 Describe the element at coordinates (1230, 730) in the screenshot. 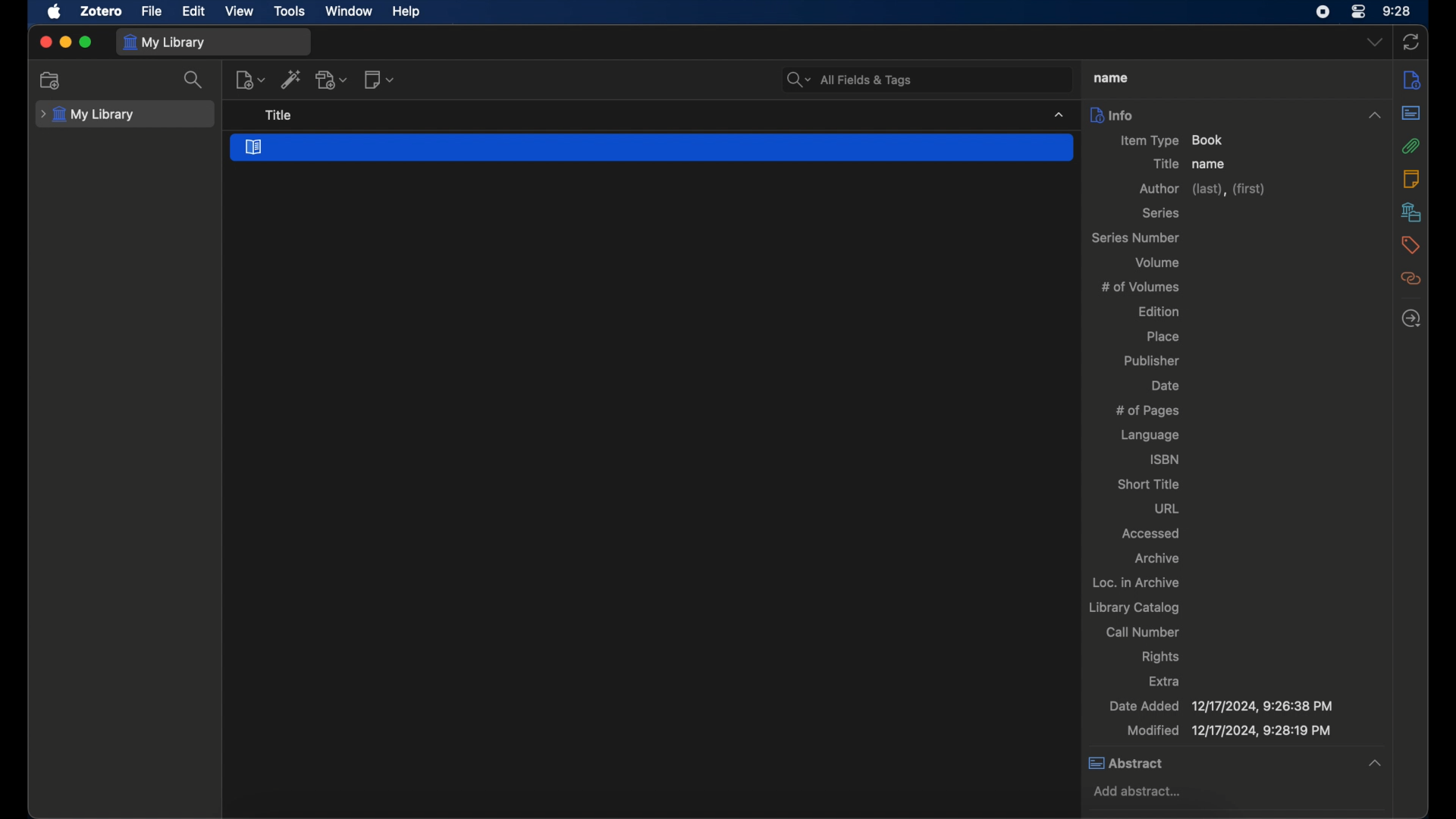

I see `modified` at that location.